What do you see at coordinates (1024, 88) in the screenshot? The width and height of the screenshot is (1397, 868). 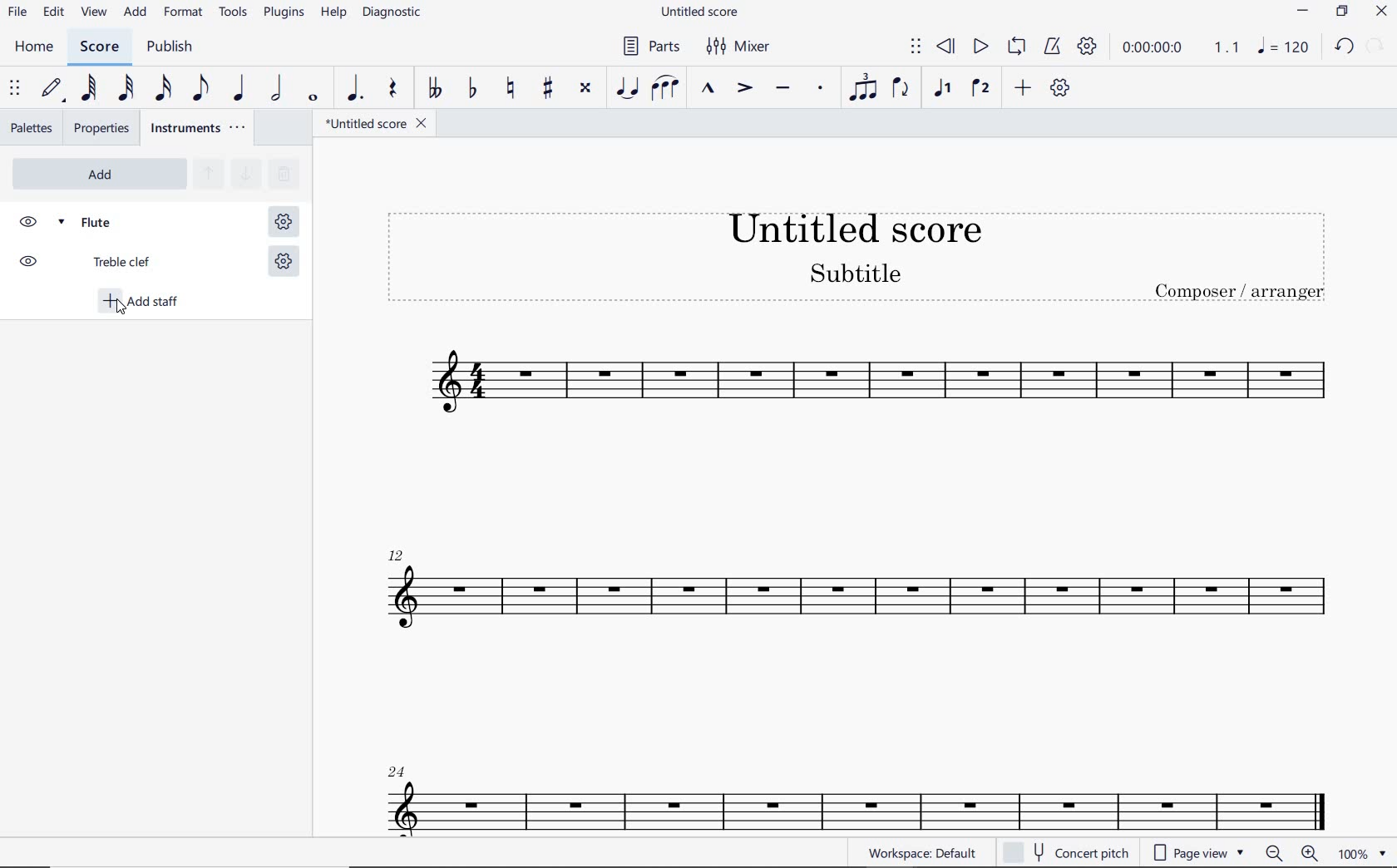 I see `ADD` at bounding box center [1024, 88].